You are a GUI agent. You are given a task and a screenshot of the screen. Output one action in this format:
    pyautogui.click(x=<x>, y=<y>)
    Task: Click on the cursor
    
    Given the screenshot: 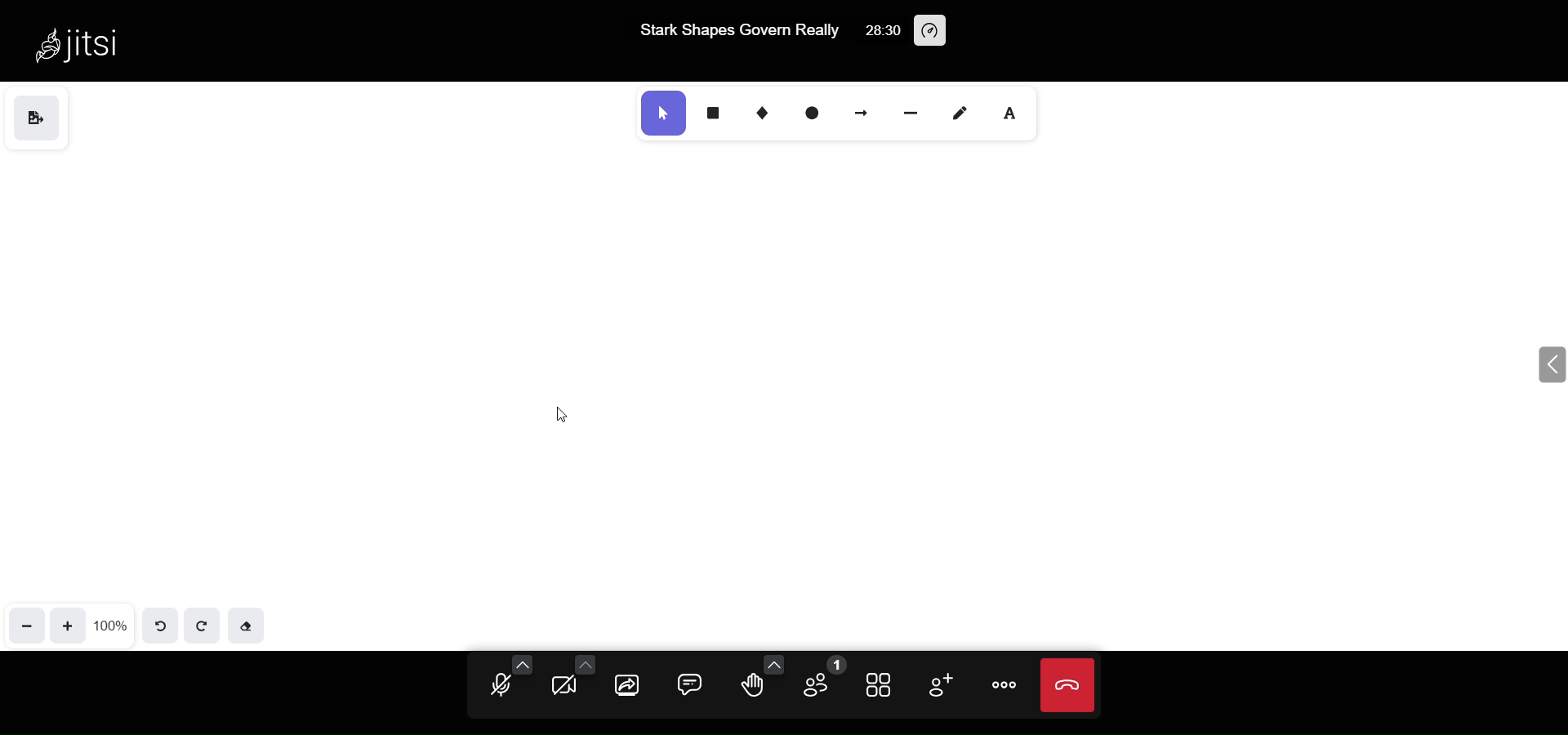 What is the action you would take?
    pyautogui.click(x=567, y=415)
    